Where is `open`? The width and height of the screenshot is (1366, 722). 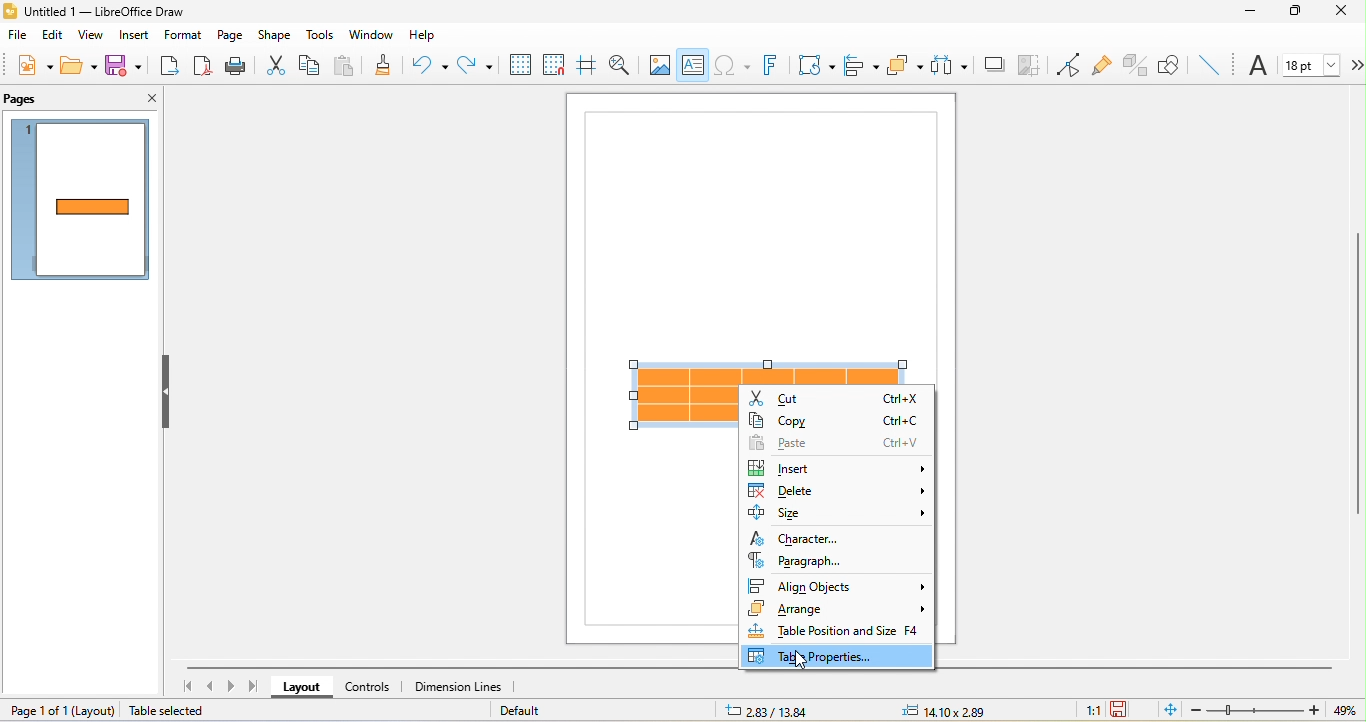 open is located at coordinates (82, 66).